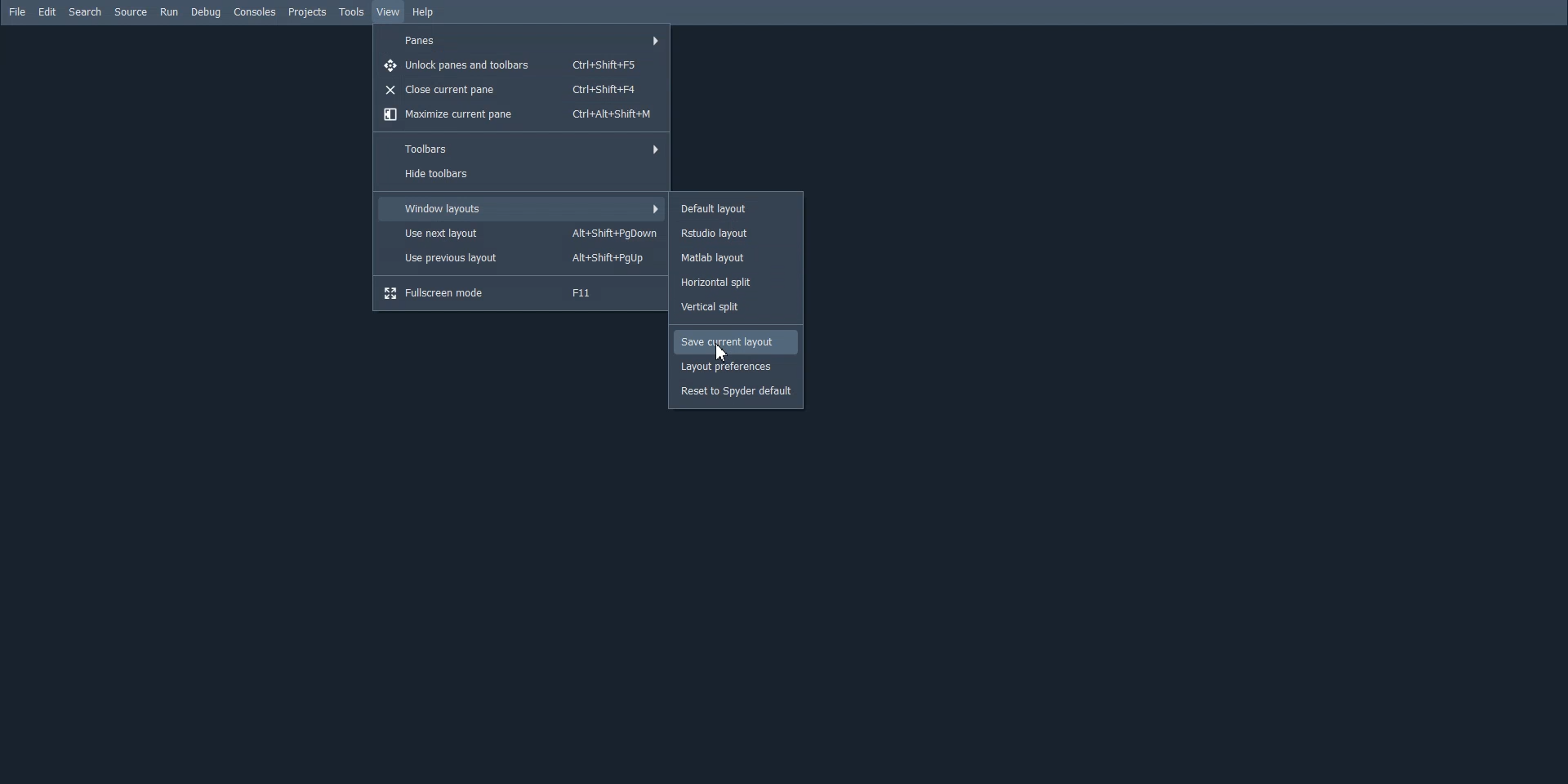  I want to click on Edit, so click(47, 11).